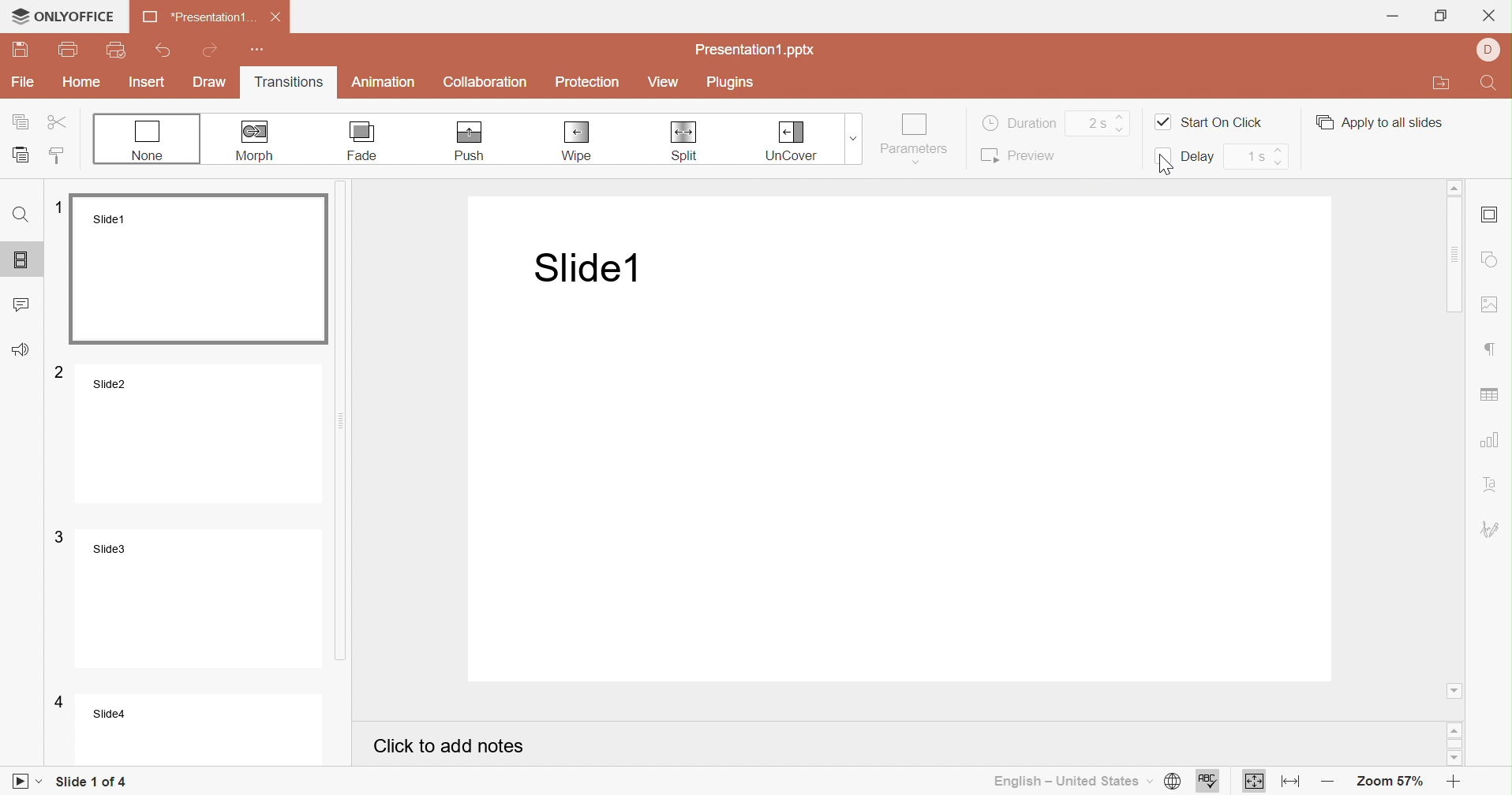  Describe the element at coordinates (275, 17) in the screenshot. I see `Close` at that location.